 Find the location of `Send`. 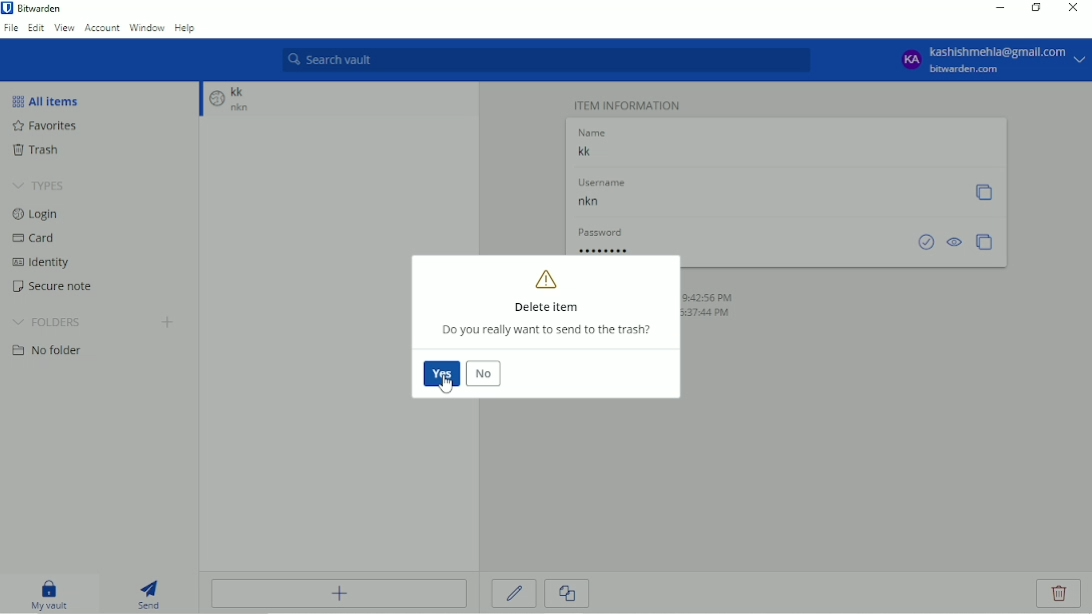

Send is located at coordinates (152, 595).